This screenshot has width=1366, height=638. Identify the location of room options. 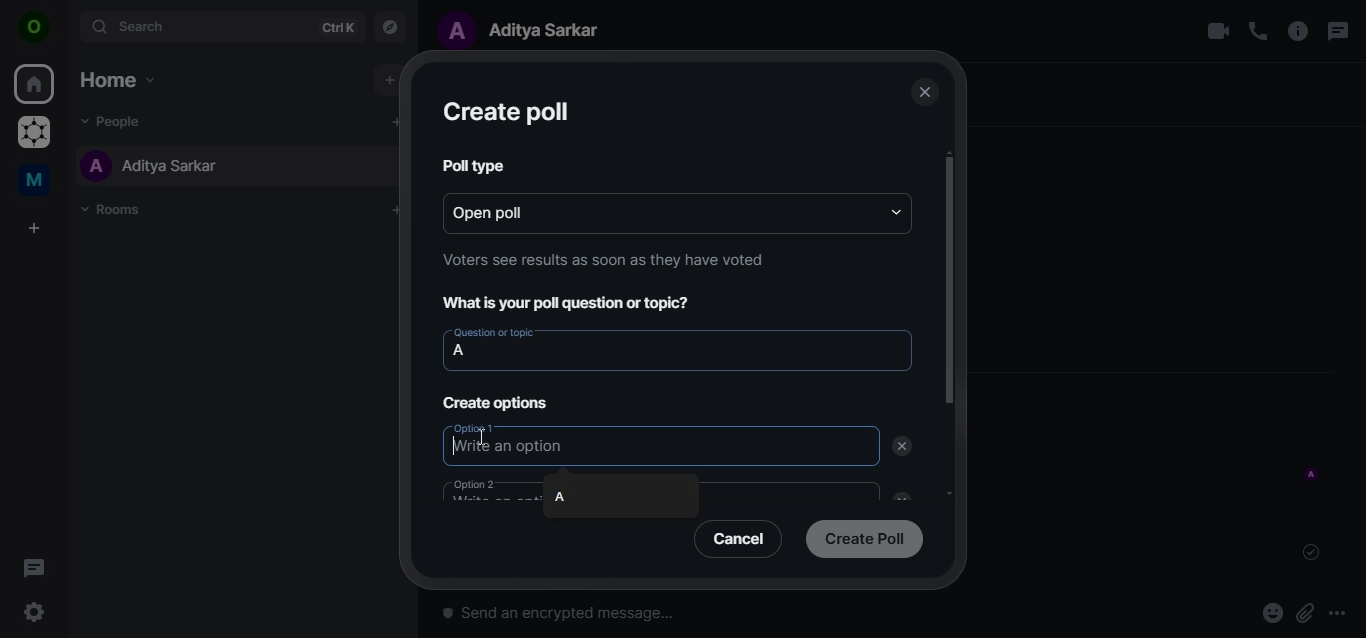
(1299, 33).